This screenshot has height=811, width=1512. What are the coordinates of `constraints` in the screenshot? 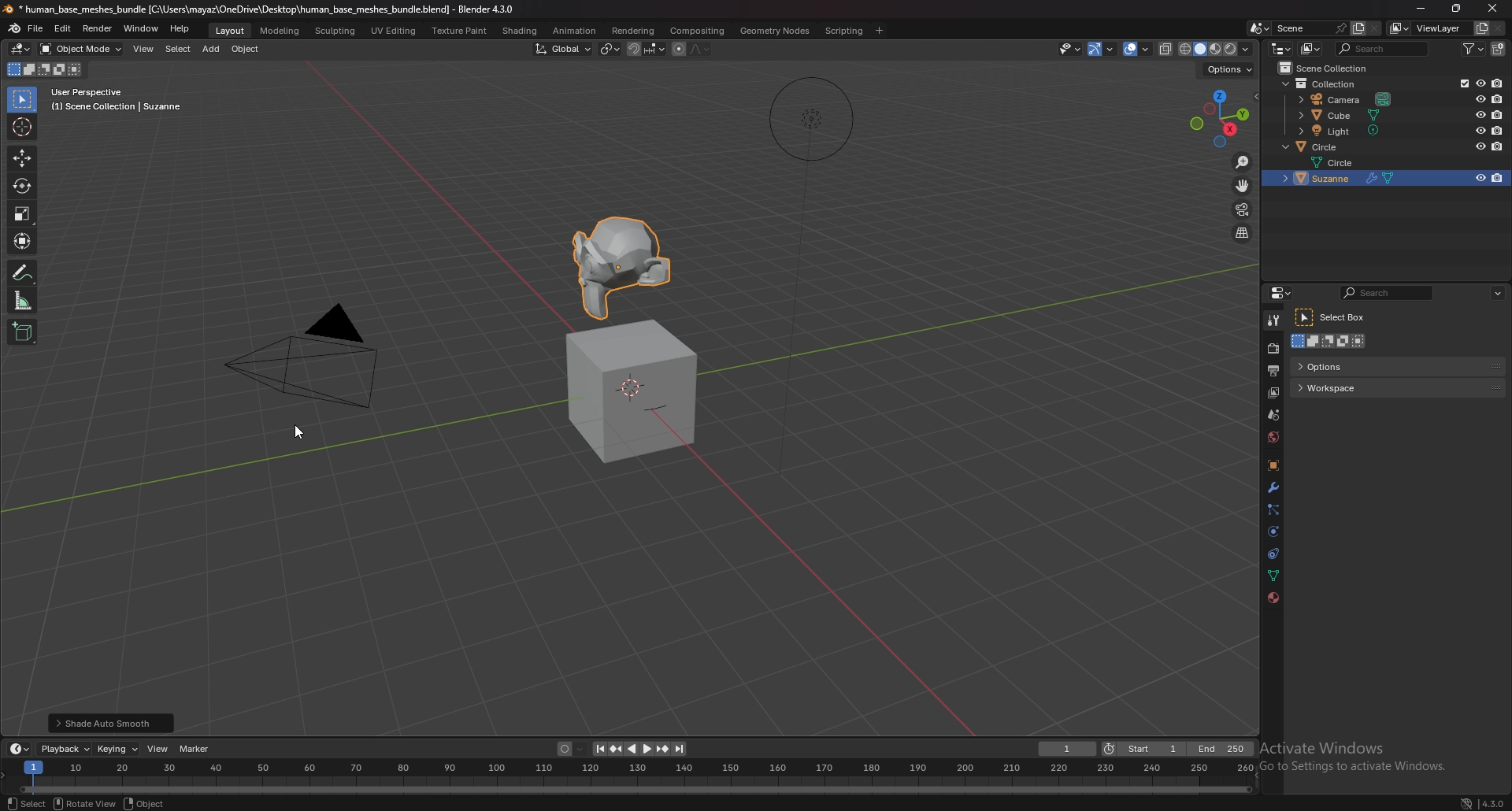 It's located at (1275, 554).